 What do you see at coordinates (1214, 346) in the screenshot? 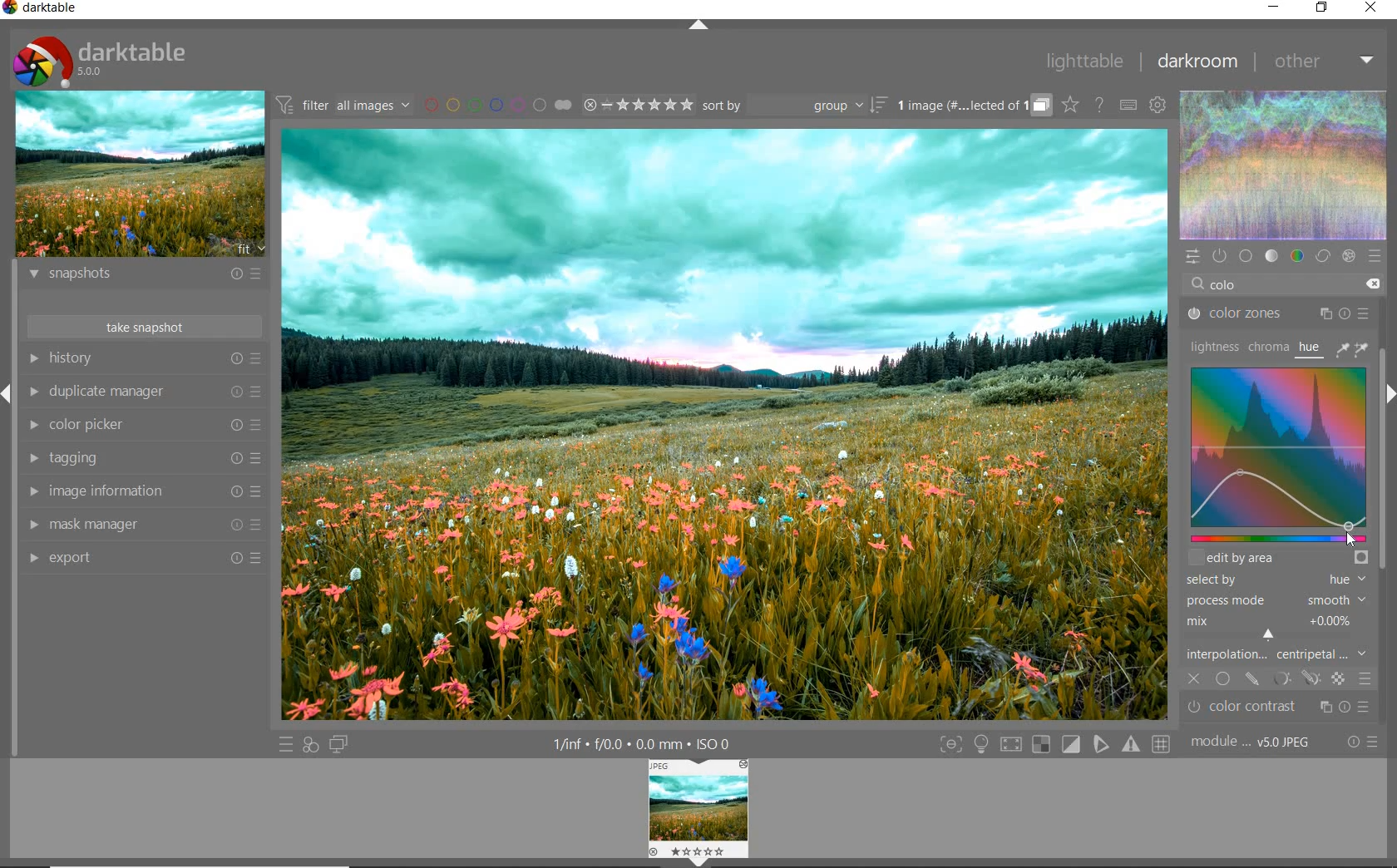
I see `lightness` at bounding box center [1214, 346].